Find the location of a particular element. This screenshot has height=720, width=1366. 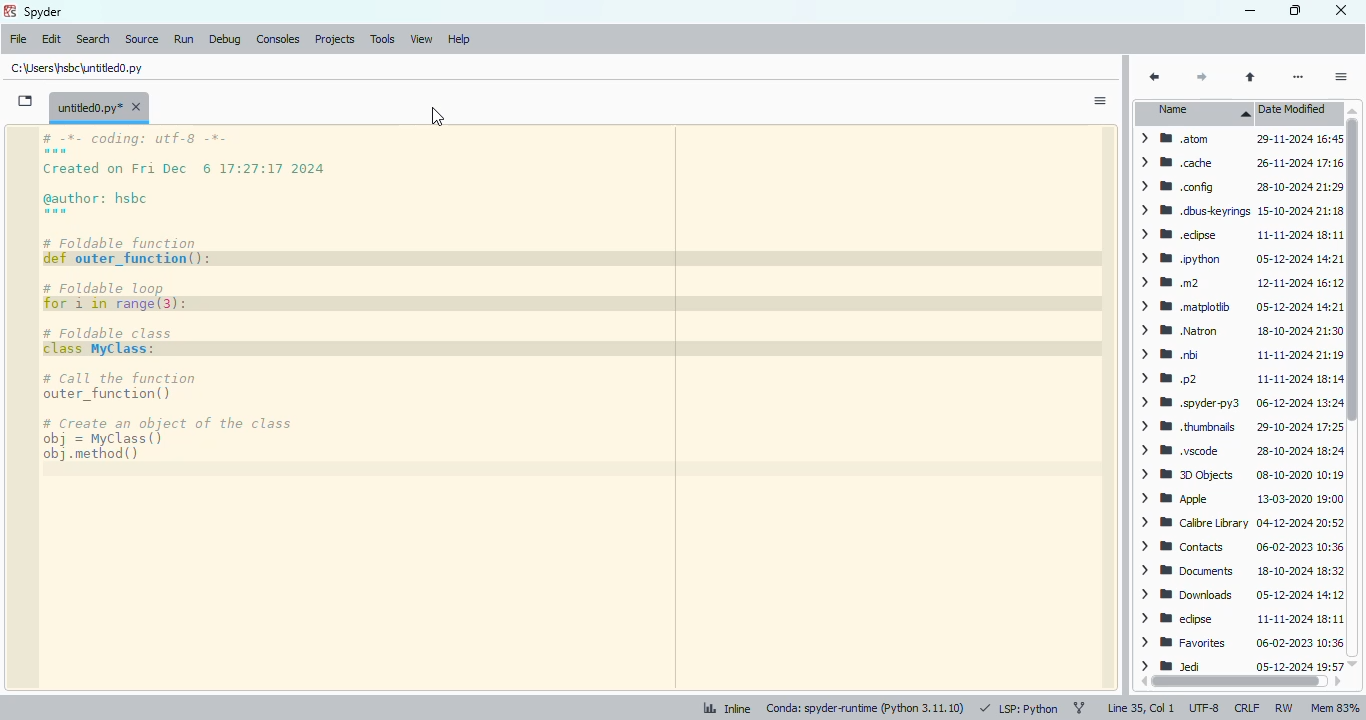

vertical scroll bar is located at coordinates (1356, 388).